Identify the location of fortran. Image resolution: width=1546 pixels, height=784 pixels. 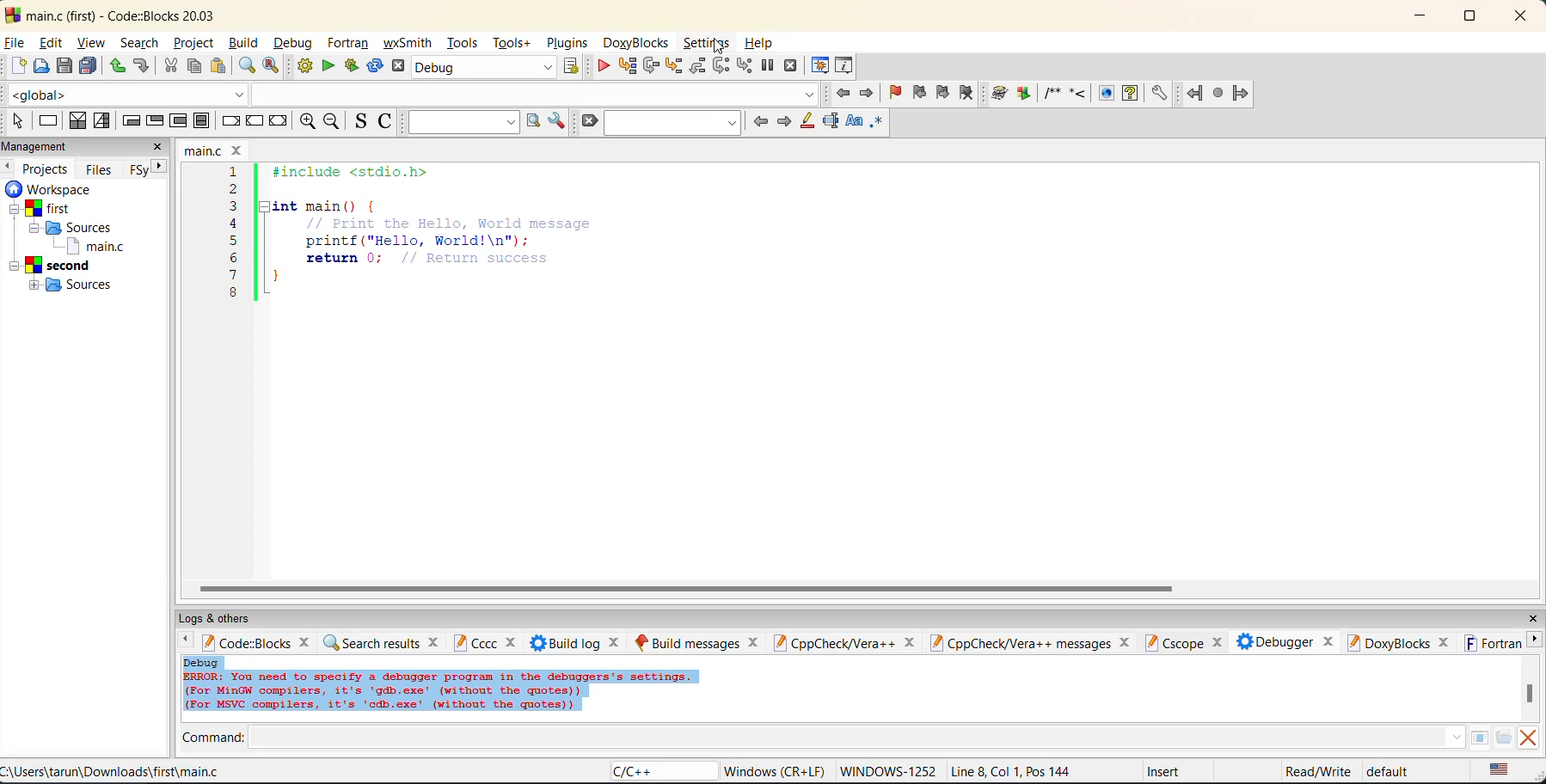
(1492, 644).